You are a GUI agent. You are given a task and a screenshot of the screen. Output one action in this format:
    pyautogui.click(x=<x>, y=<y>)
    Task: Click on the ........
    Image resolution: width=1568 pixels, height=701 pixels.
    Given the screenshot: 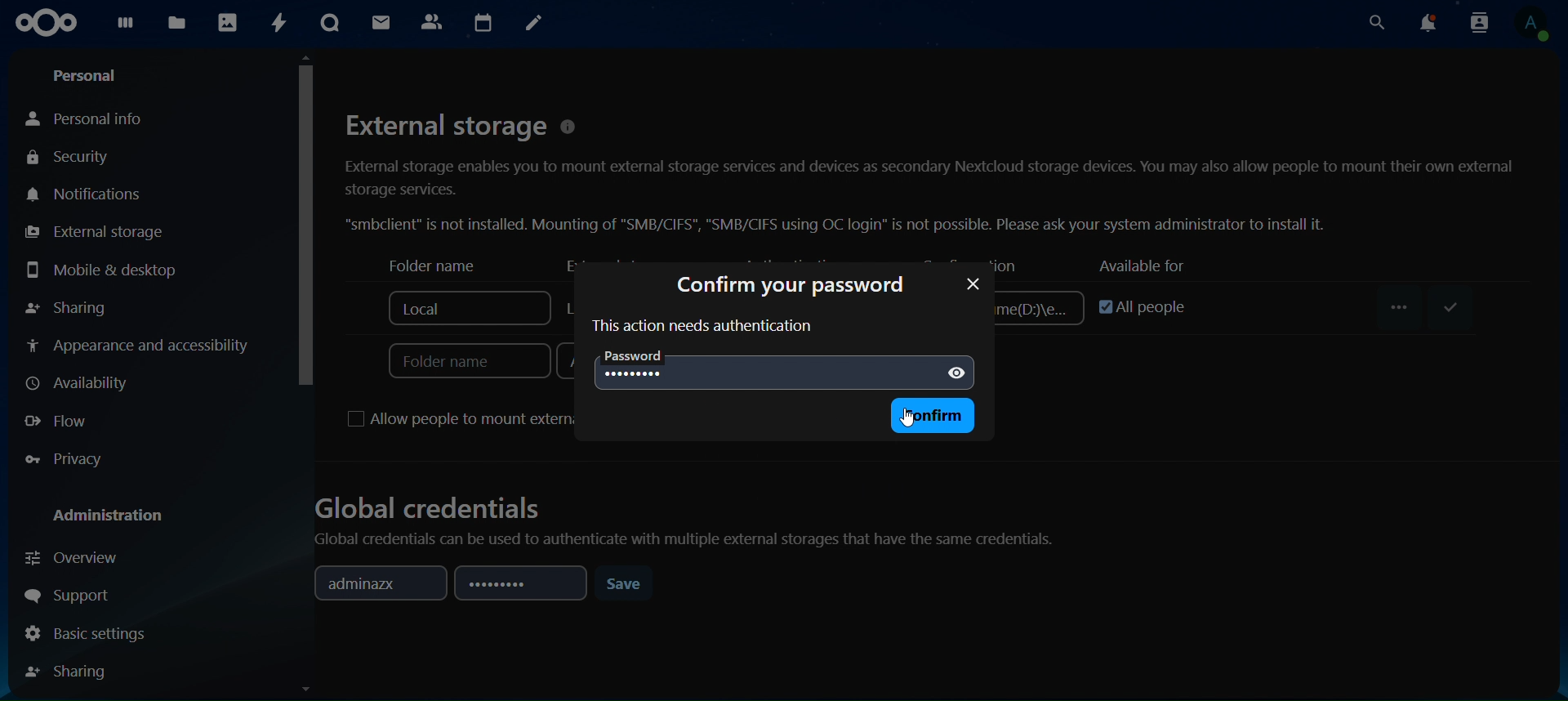 What is the action you would take?
    pyautogui.click(x=637, y=371)
    